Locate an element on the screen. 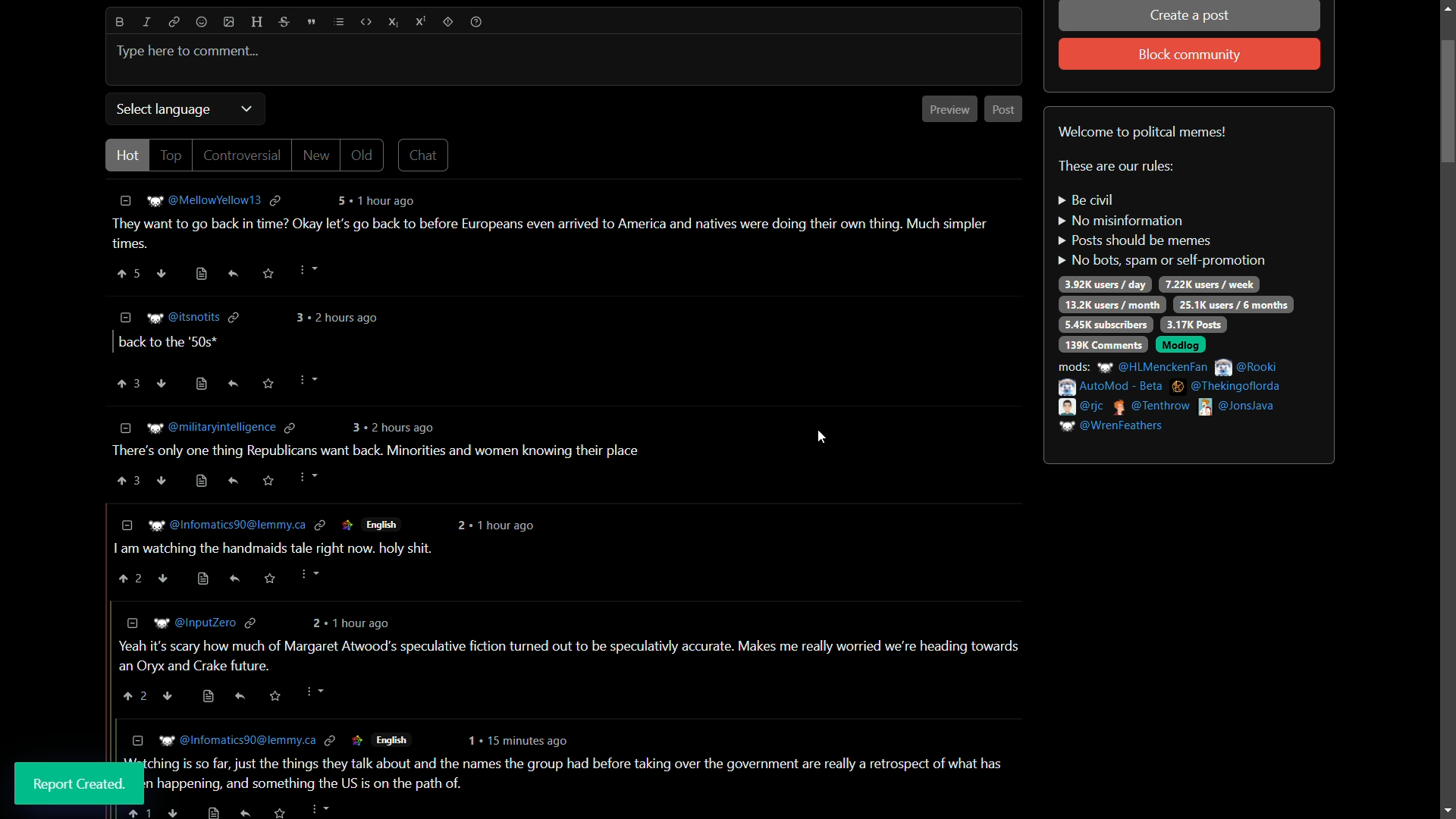  Cursor is located at coordinates (306, 388).